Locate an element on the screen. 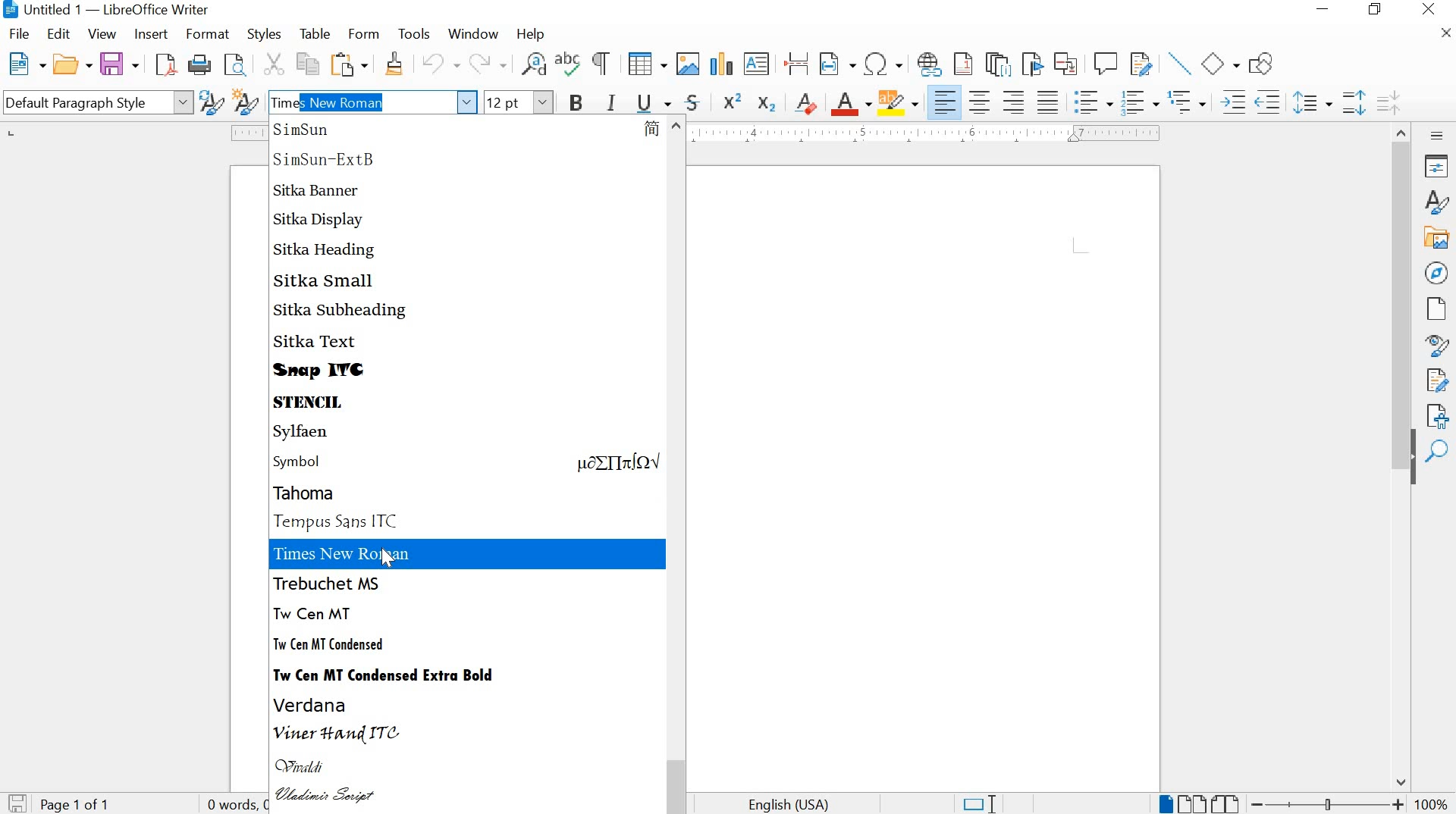  ITALIC is located at coordinates (613, 101).